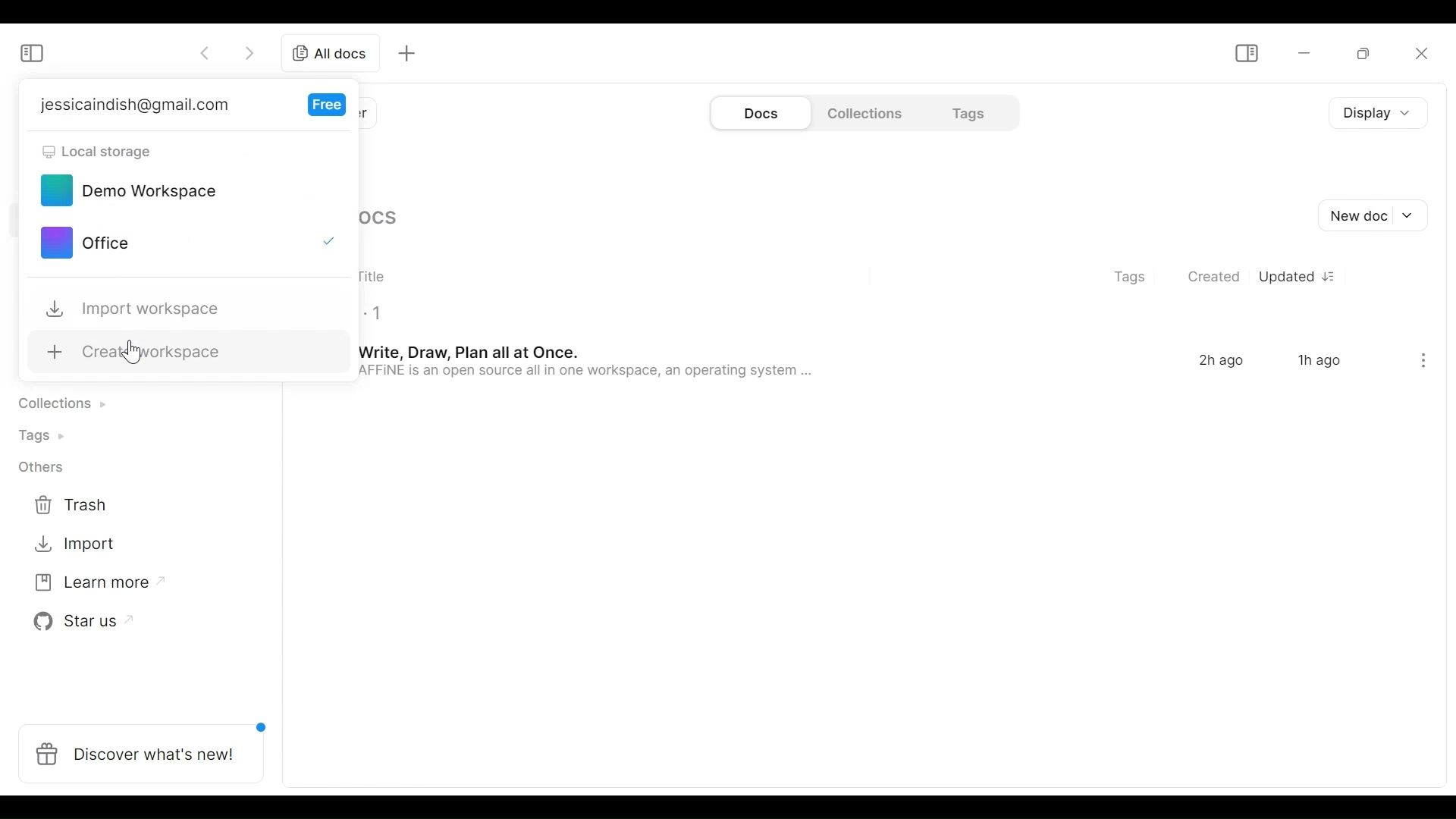 This screenshot has height=819, width=1456. I want to click on Show/Hide Sidebar, so click(1244, 51).